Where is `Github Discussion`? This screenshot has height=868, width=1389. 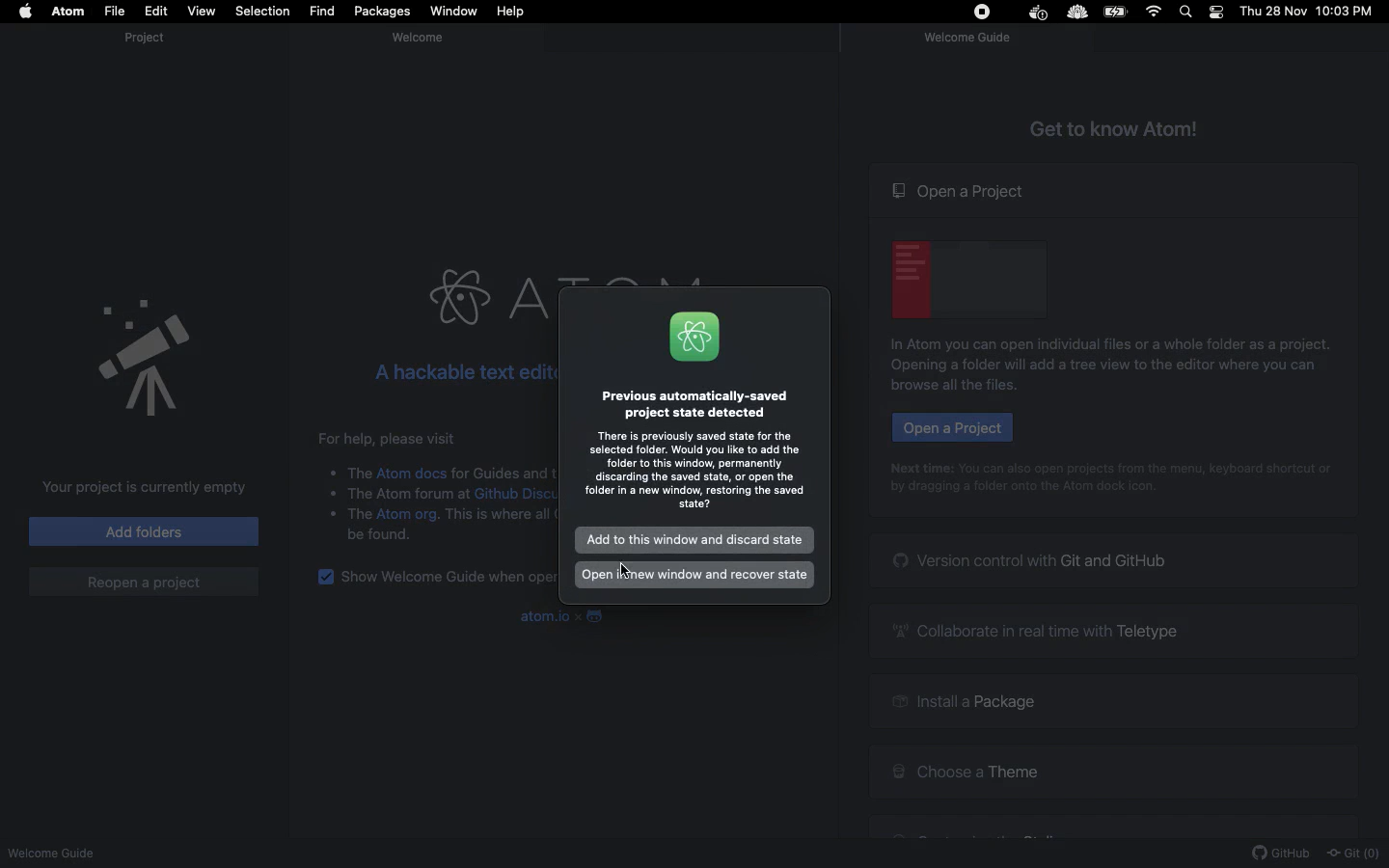
Github Discussion is located at coordinates (516, 496).